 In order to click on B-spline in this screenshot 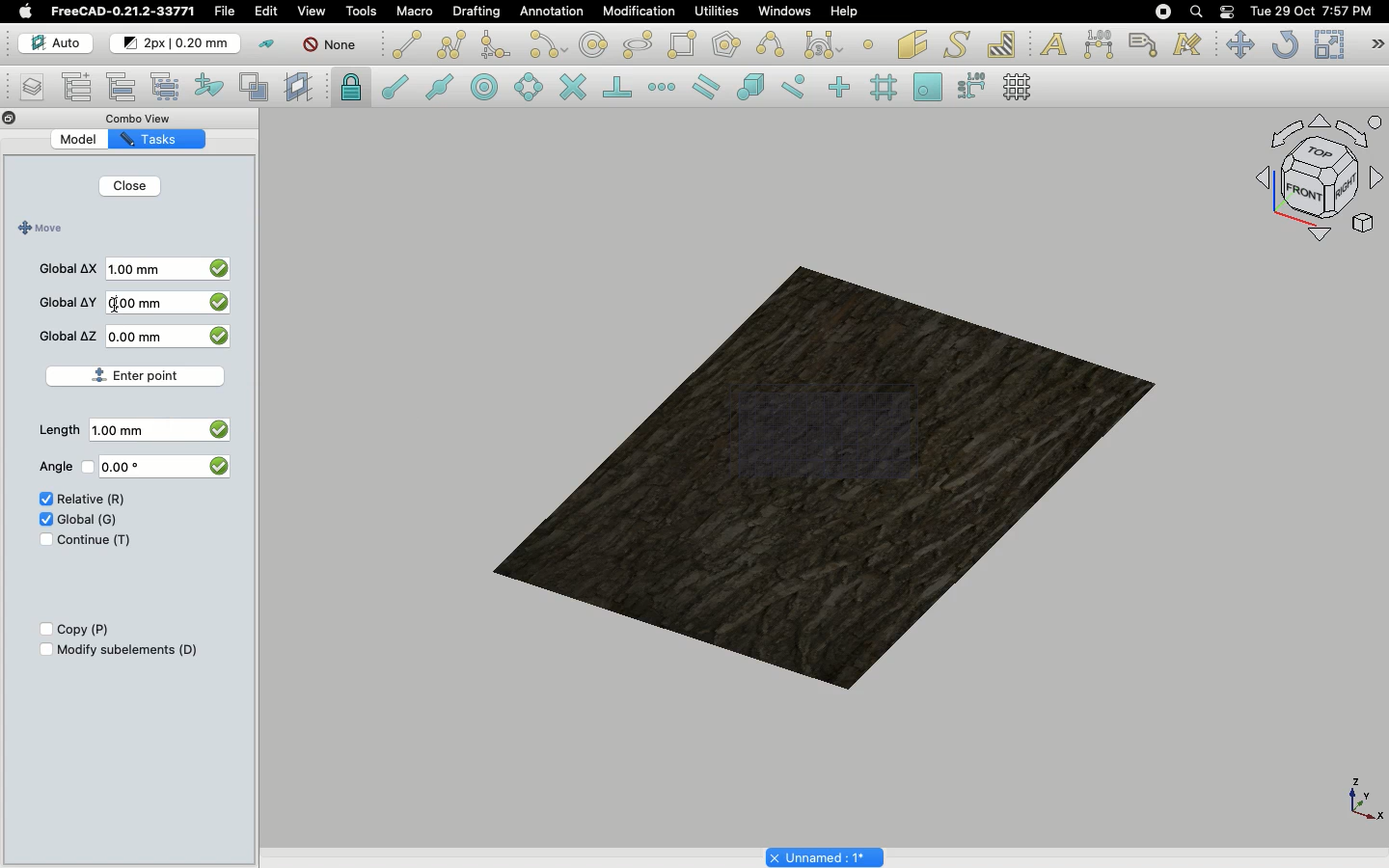, I will do `click(774, 44)`.